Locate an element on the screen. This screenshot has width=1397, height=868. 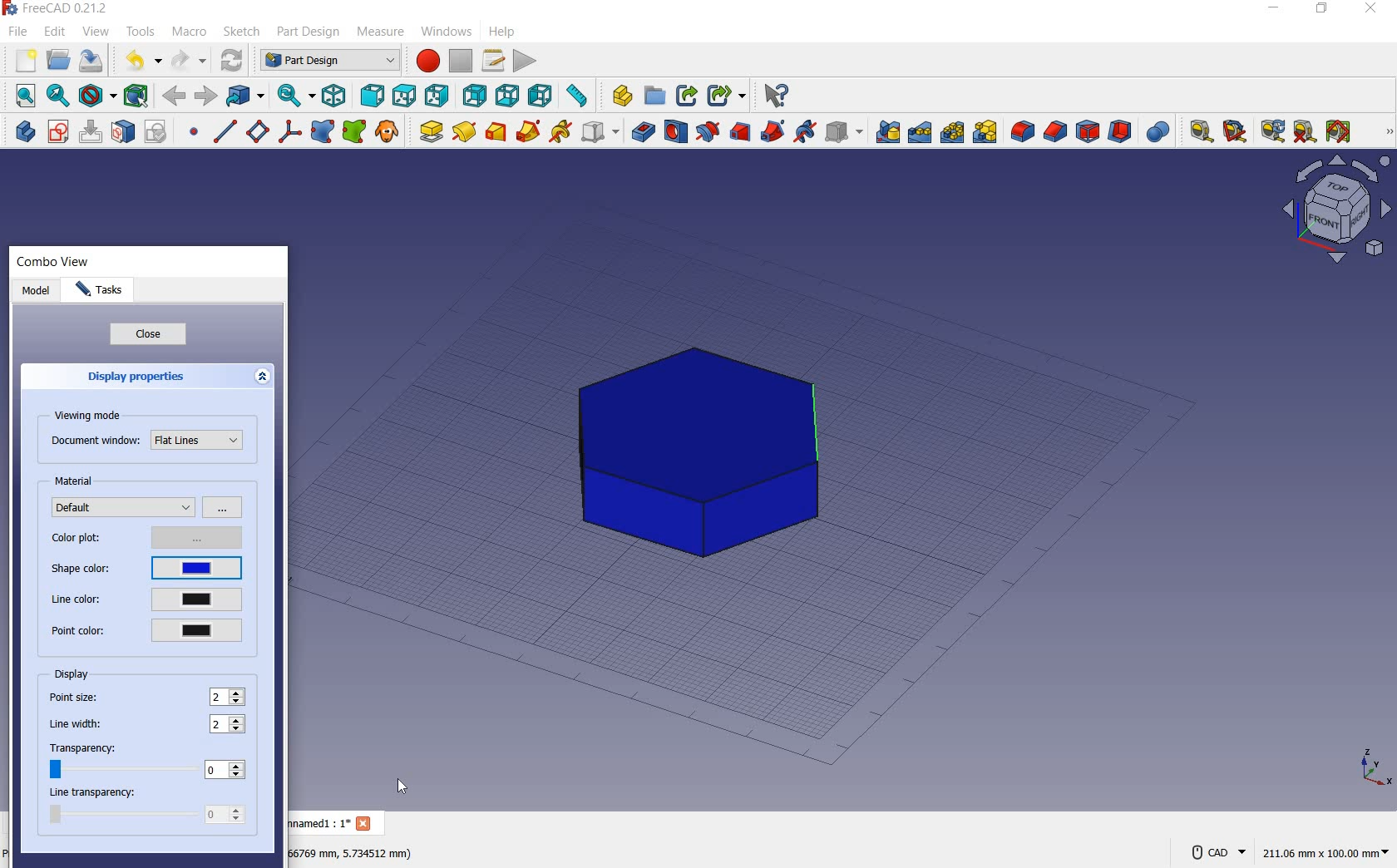
display properties is located at coordinates (145, 377).